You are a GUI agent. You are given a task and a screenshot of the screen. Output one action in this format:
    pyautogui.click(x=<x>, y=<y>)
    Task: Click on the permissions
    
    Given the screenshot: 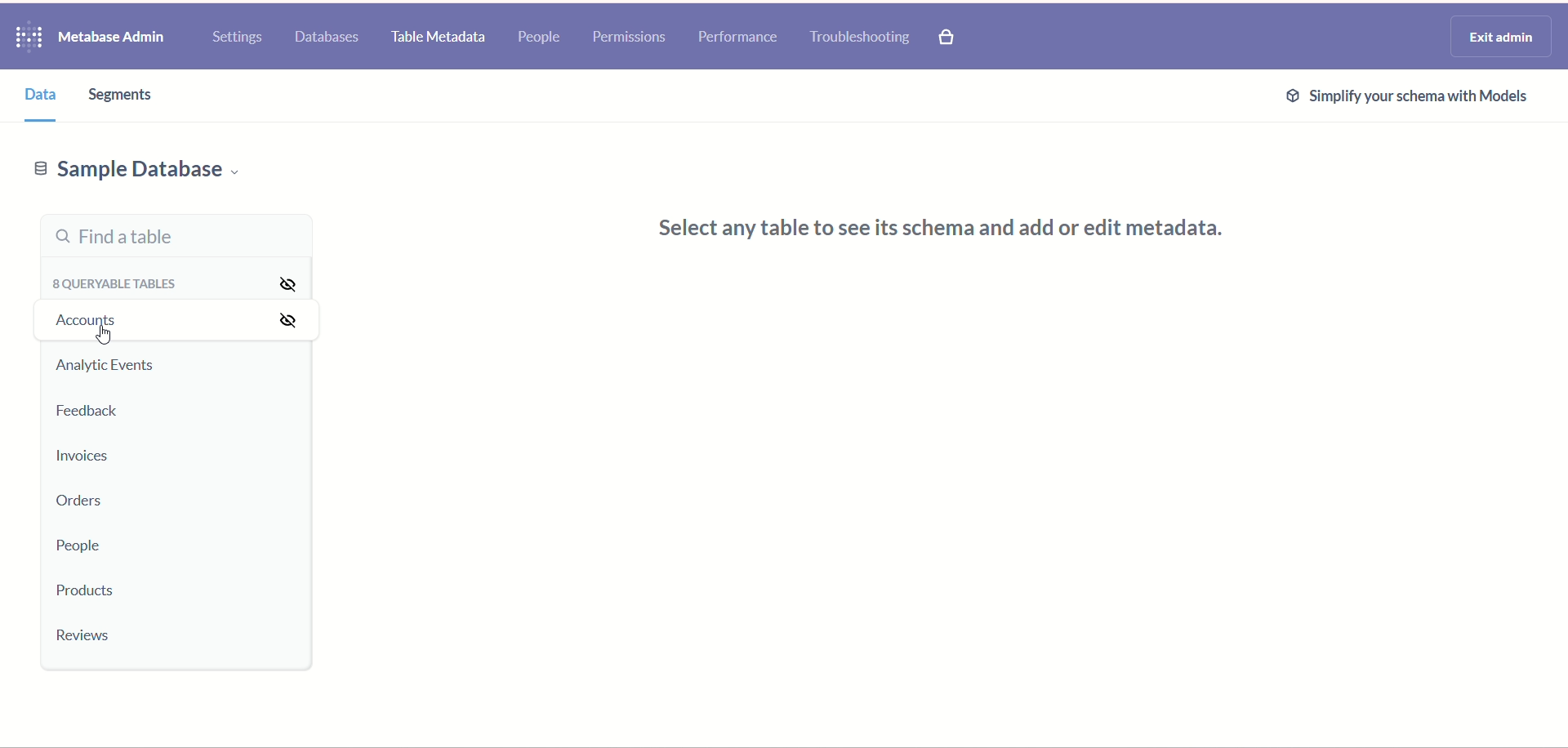 What is the action you would take?
    pyautogui.click(x=633, y=37)
    